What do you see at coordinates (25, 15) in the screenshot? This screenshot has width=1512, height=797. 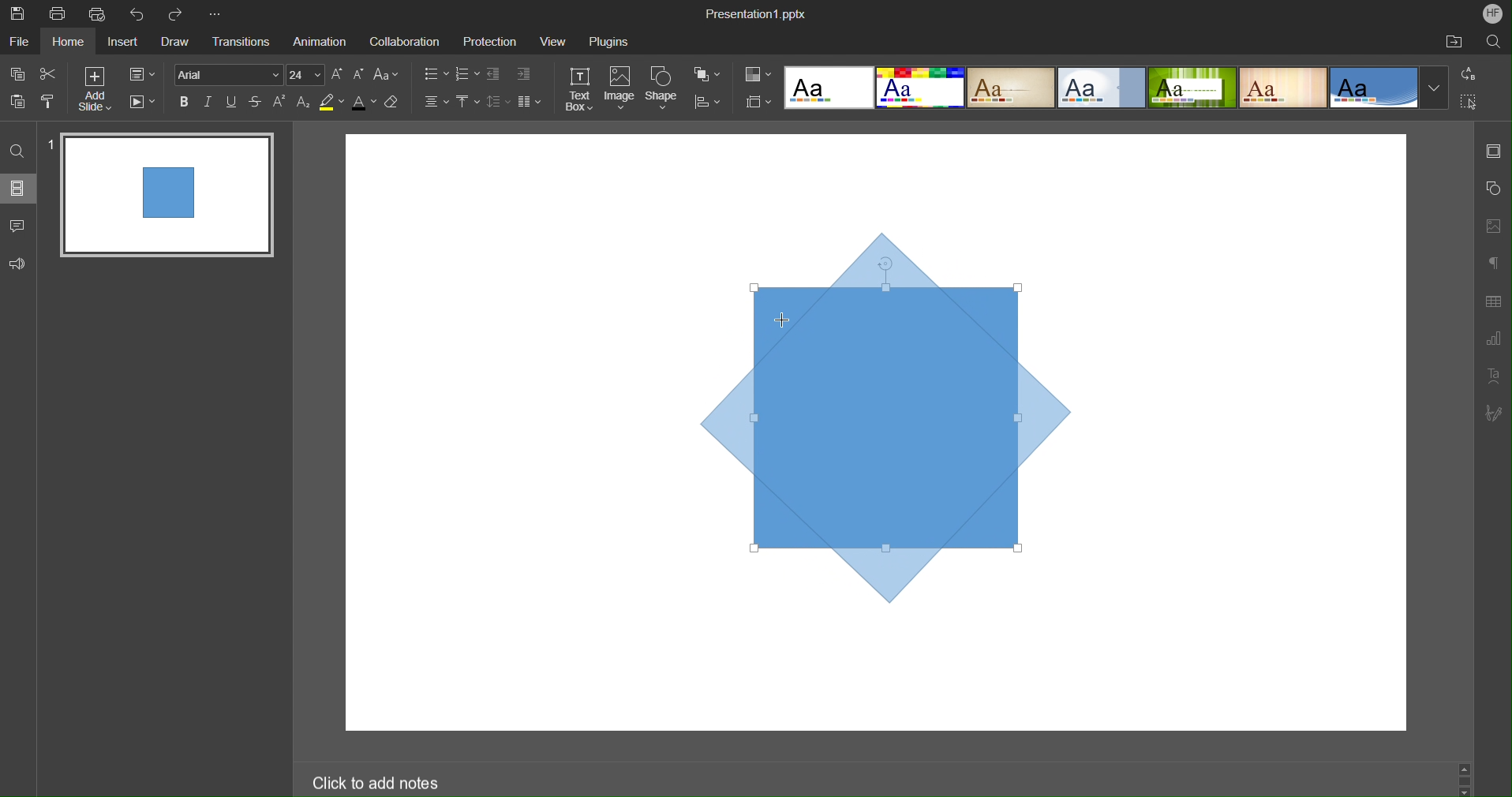 I see `Save` at bounding box center [25, 15].